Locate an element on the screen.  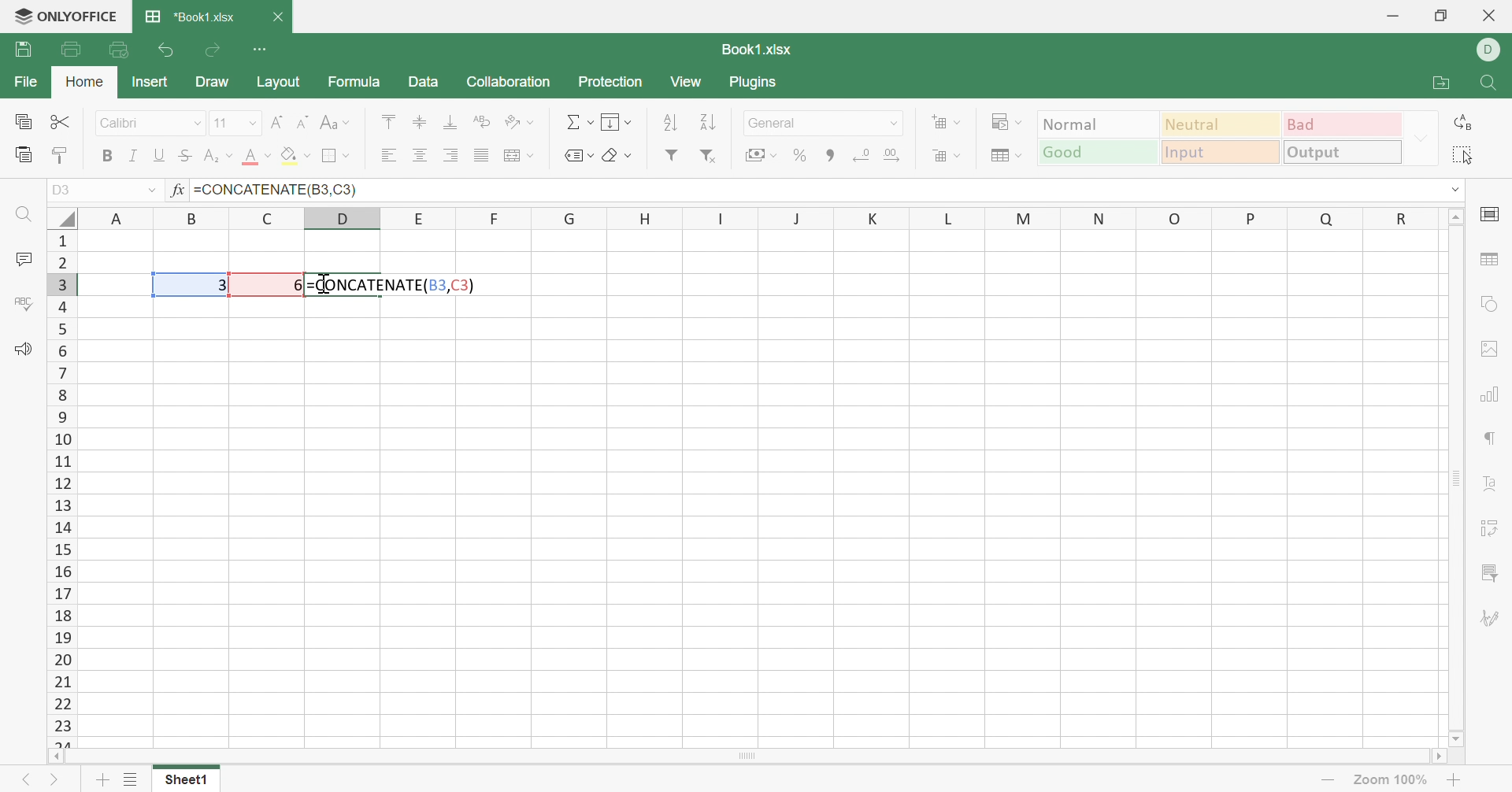
Drop down is located at coordinates (1422, 139).